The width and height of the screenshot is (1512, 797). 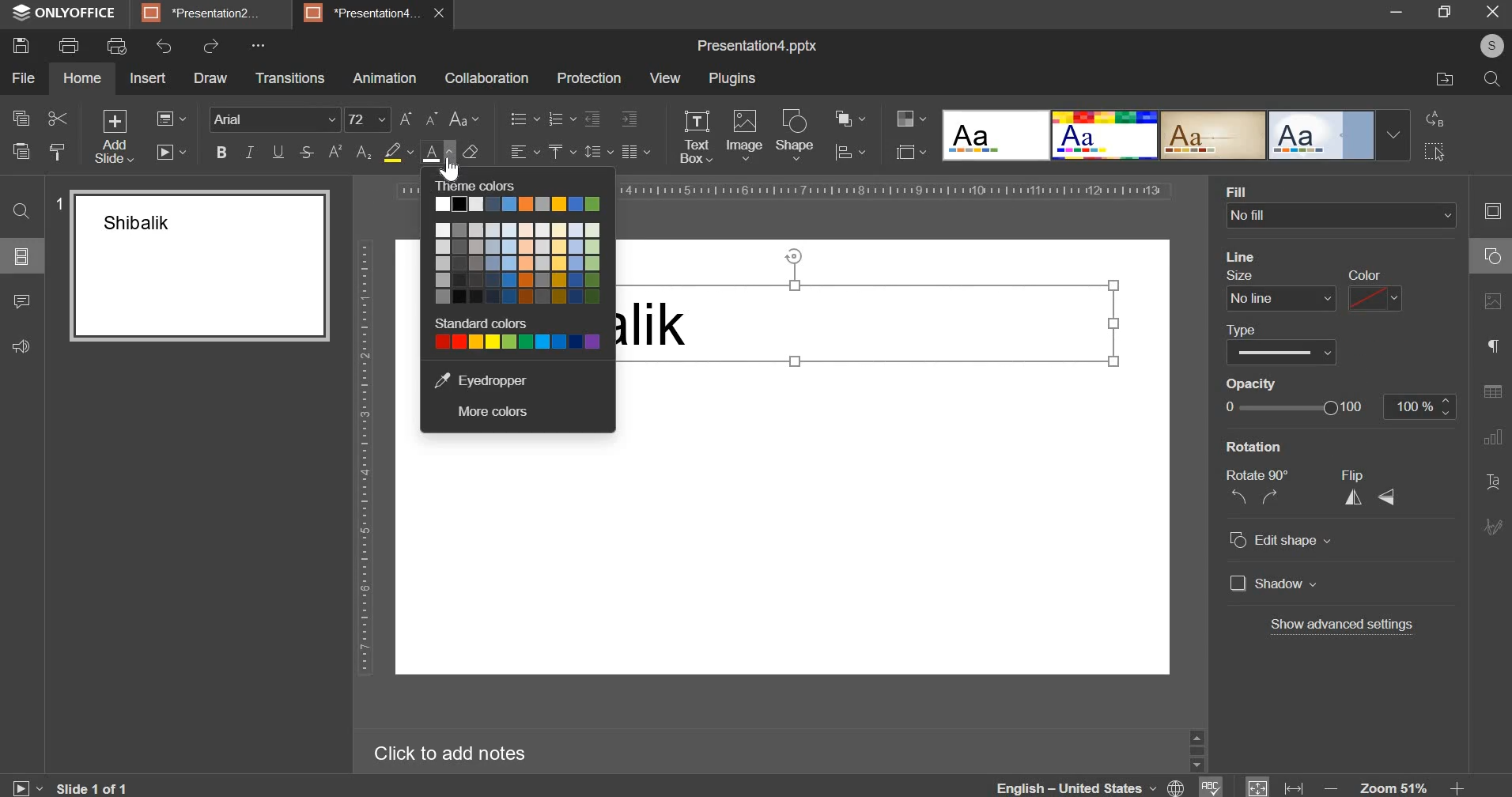 I want to click on horizontal, so click(x=1392, y=500).